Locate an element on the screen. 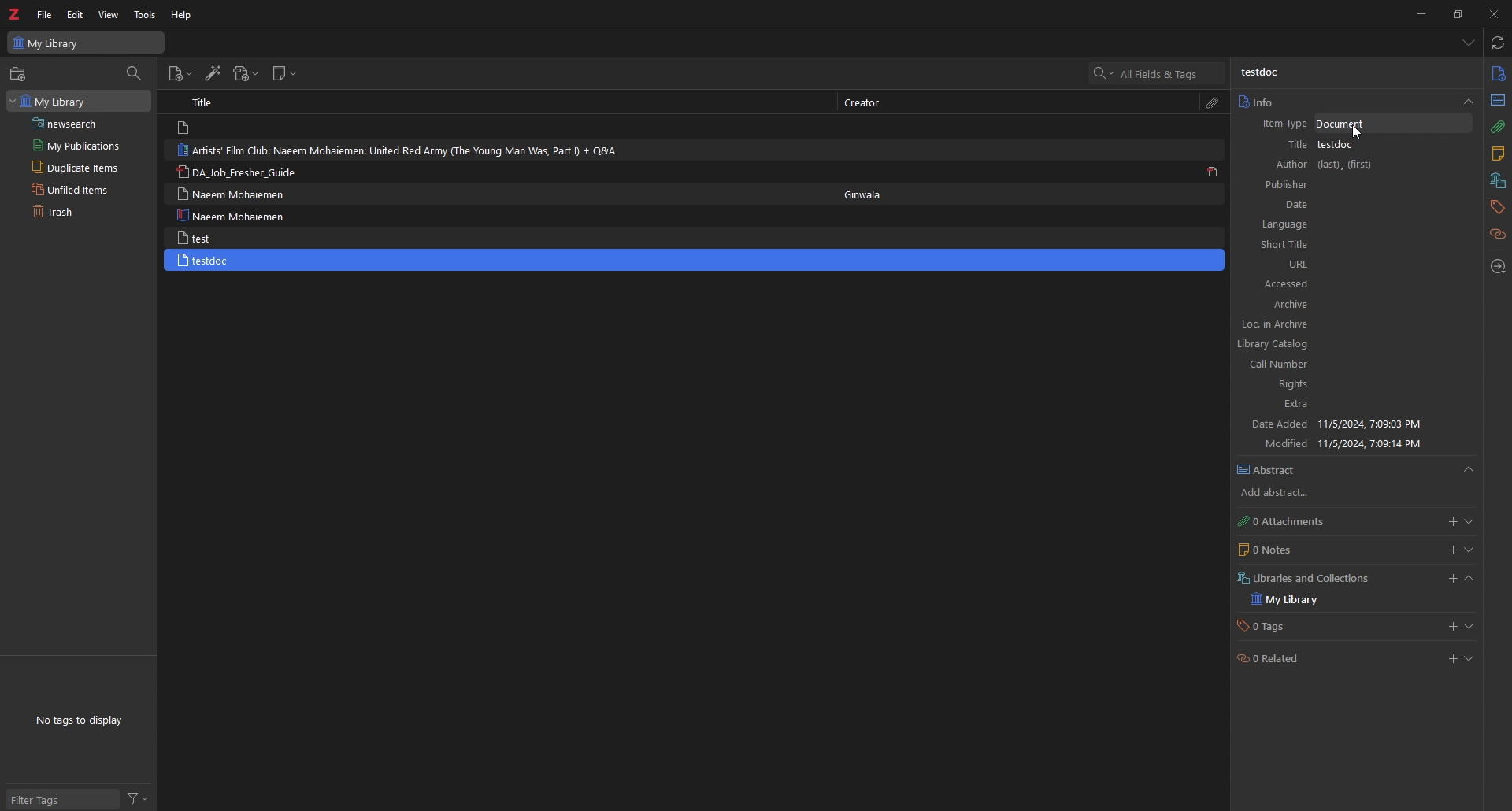 This screenshot has width=1512, height=811. pdf is located at coordinates (1215, 172).